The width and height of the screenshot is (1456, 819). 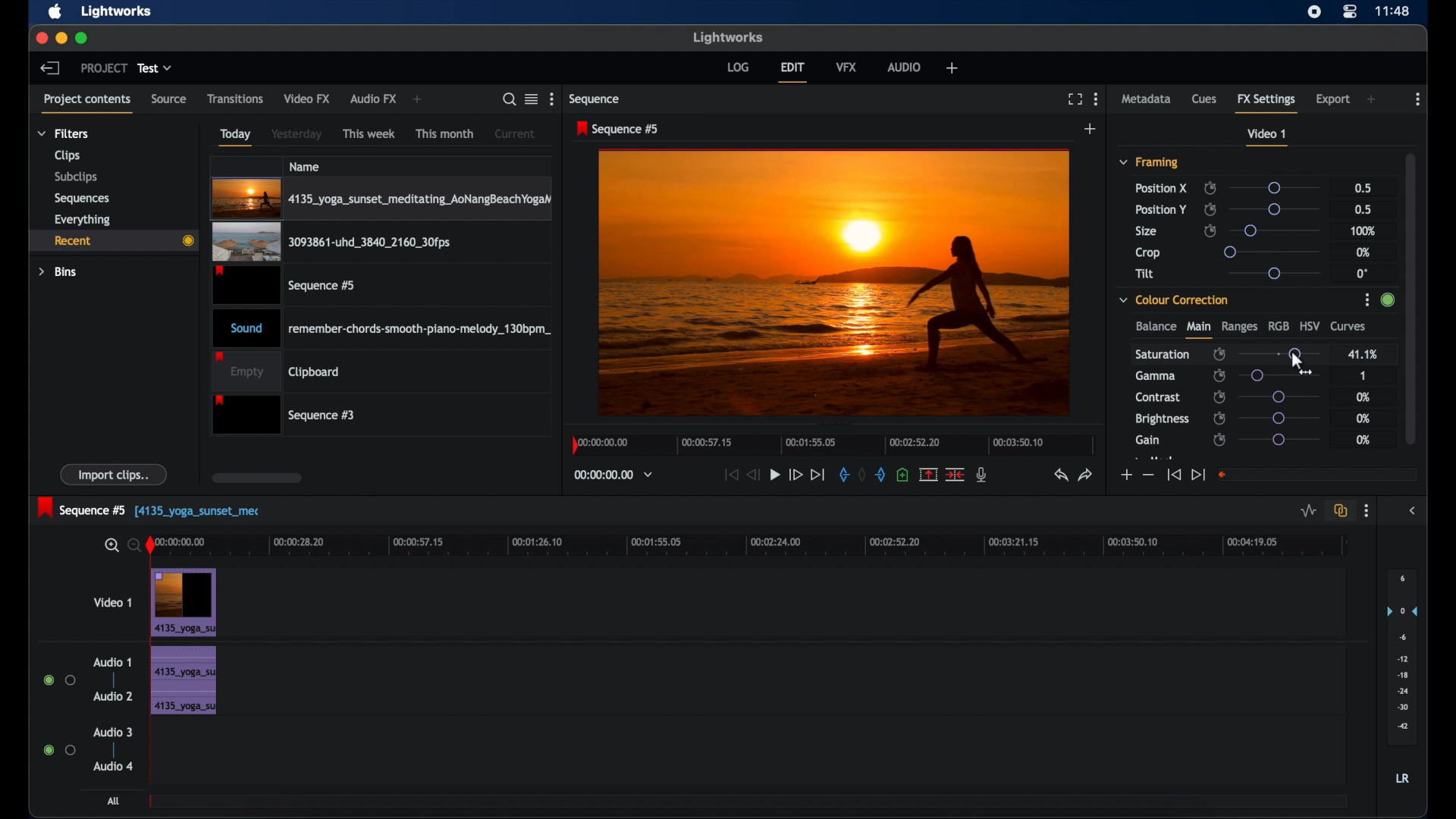 What do you see at coordinates (1148, 475) in the screenshot?
I see `decrement` at bounding box center [1148, 475].